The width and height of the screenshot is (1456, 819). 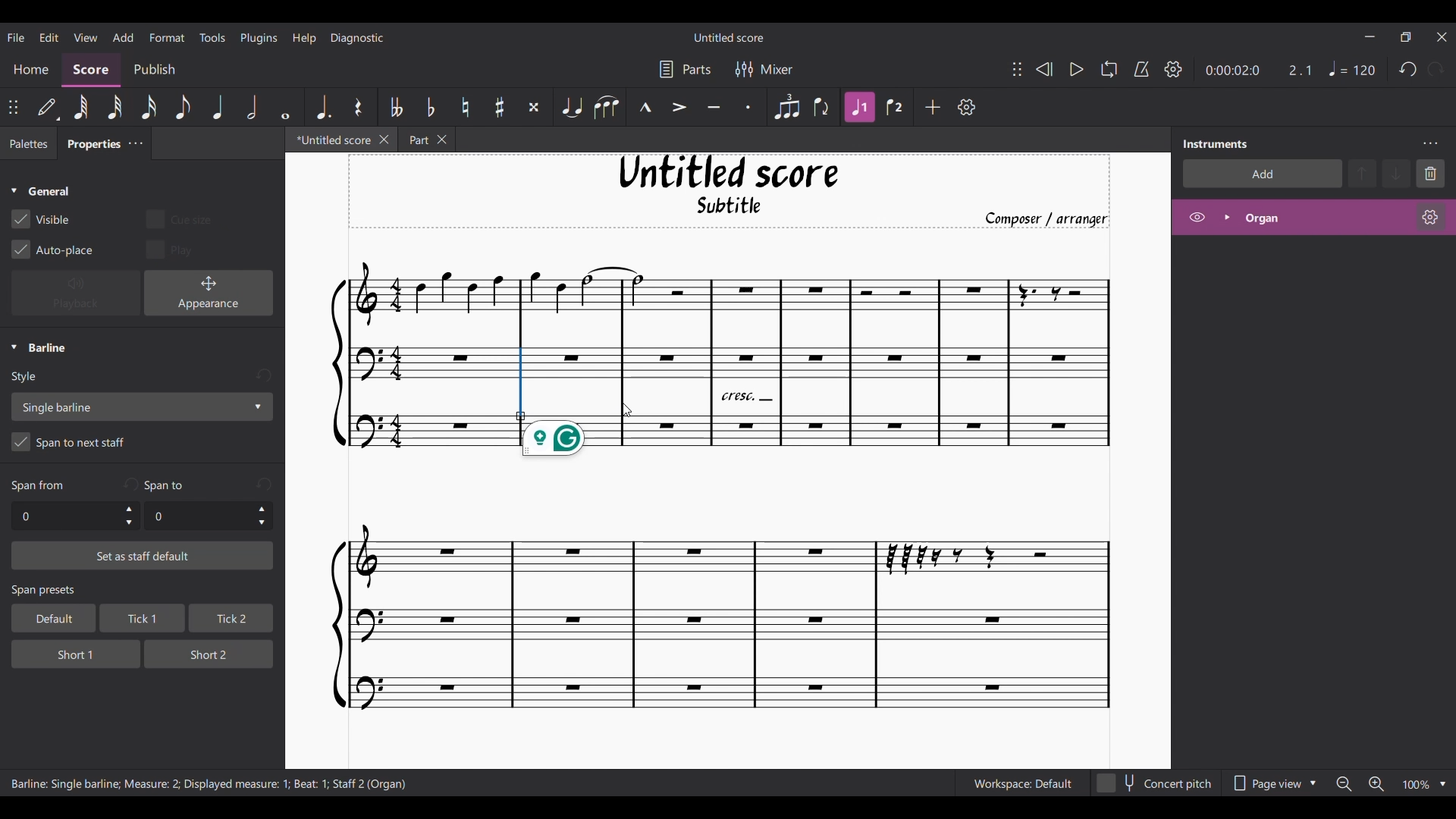 What do you see at coordinates (1376, 785) in the screenshot?
I see `Zoom in` at bounding box center [1376, 785].